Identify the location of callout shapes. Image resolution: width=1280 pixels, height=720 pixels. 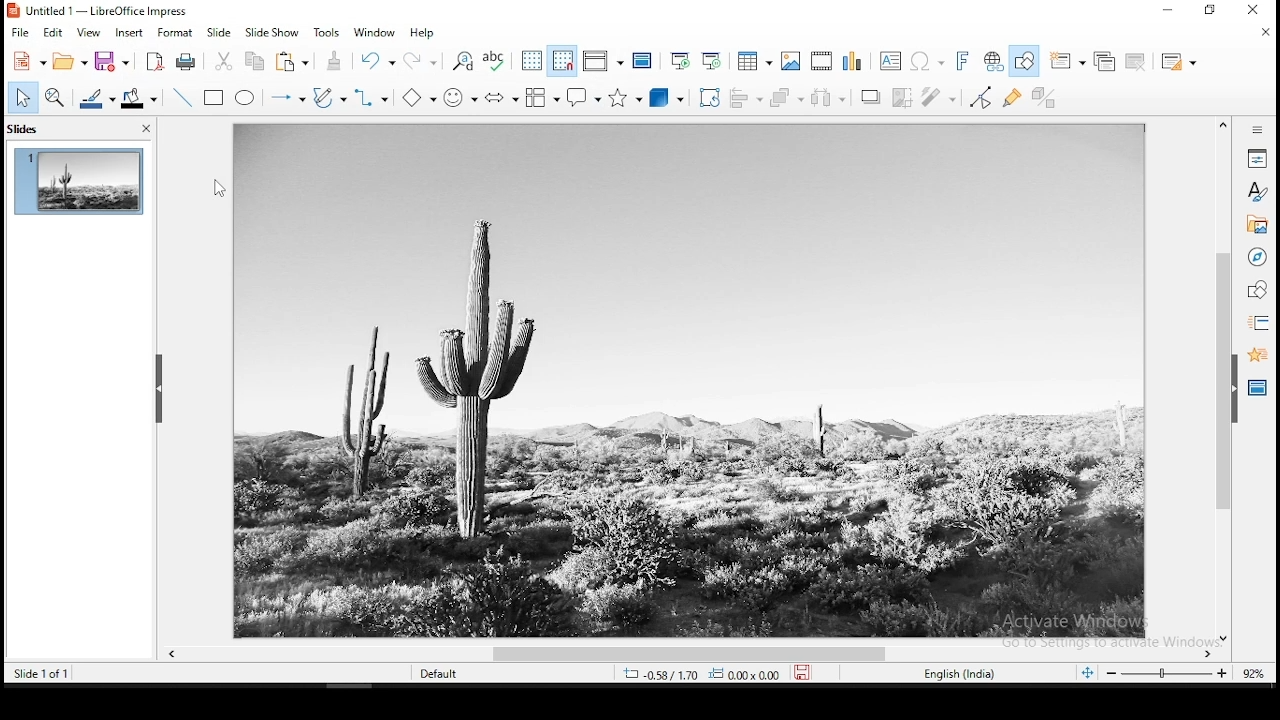
(583, 97).